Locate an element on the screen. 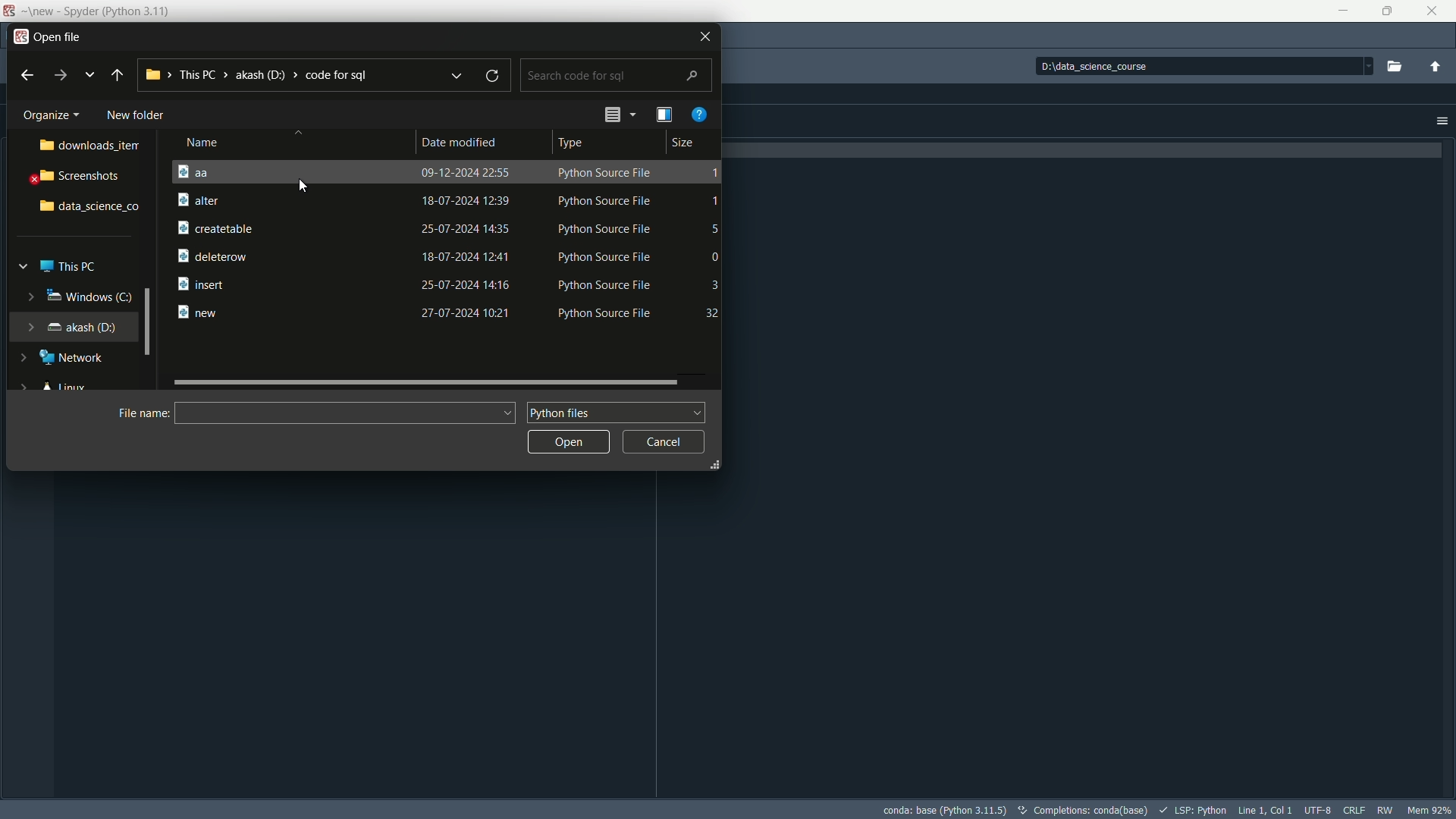 The image size is (1456, 819). memory usage is located at coordinates (1430, 810).